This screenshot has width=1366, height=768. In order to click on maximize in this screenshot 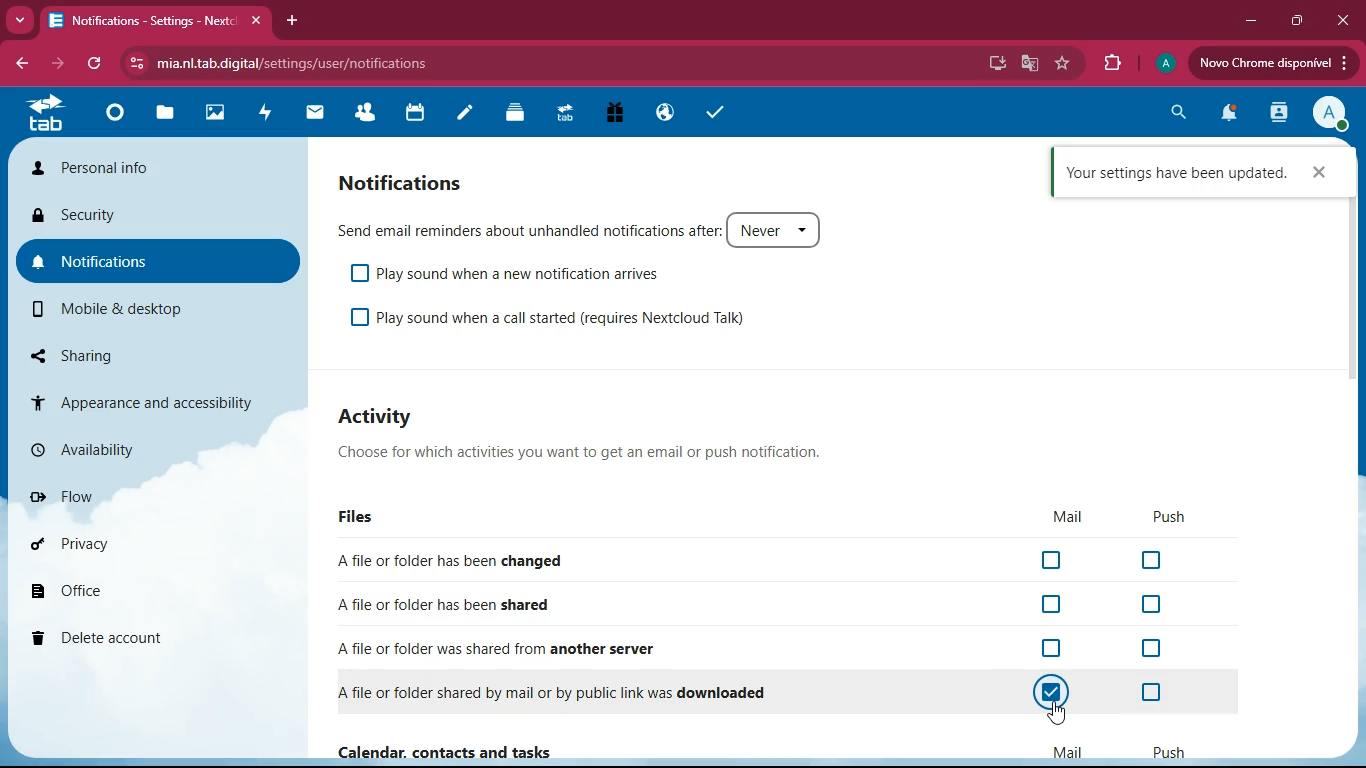, I will do `click(1293, 22)`.